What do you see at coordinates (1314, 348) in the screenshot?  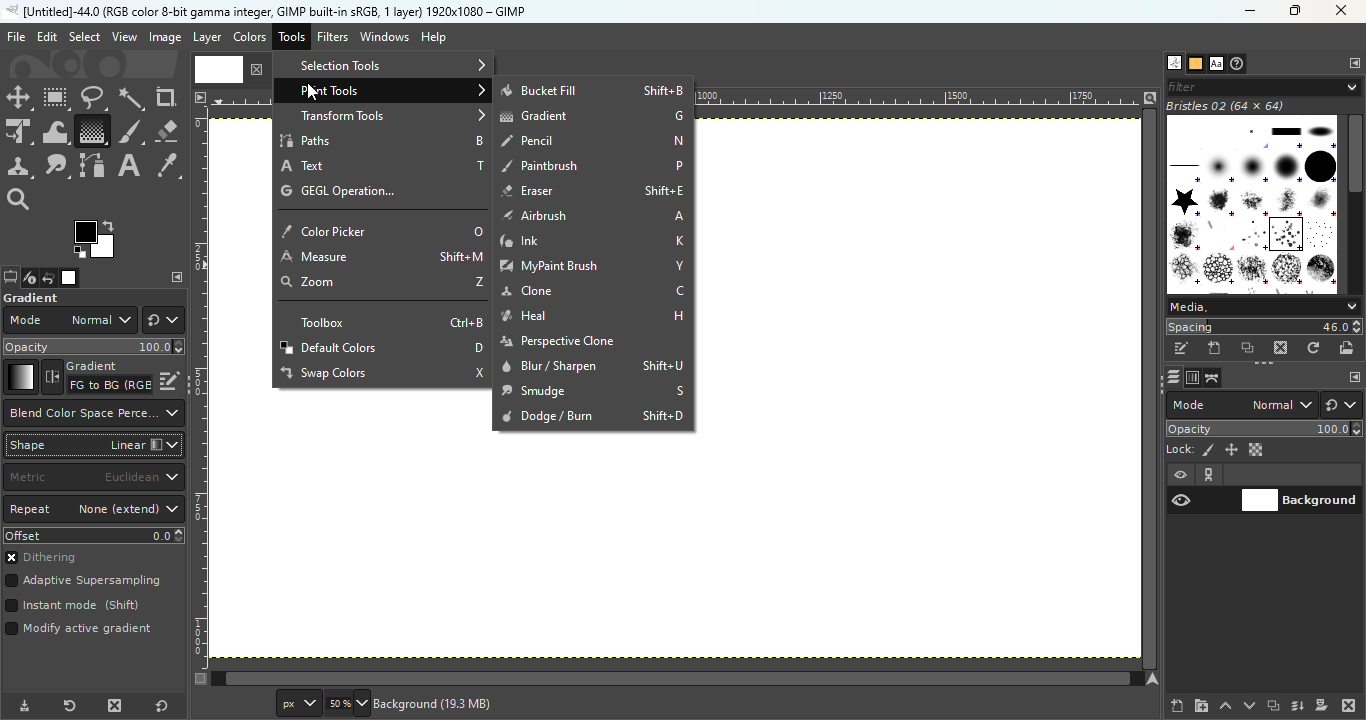 I see `Refresh brushes` at bounding box center [1314, 348].